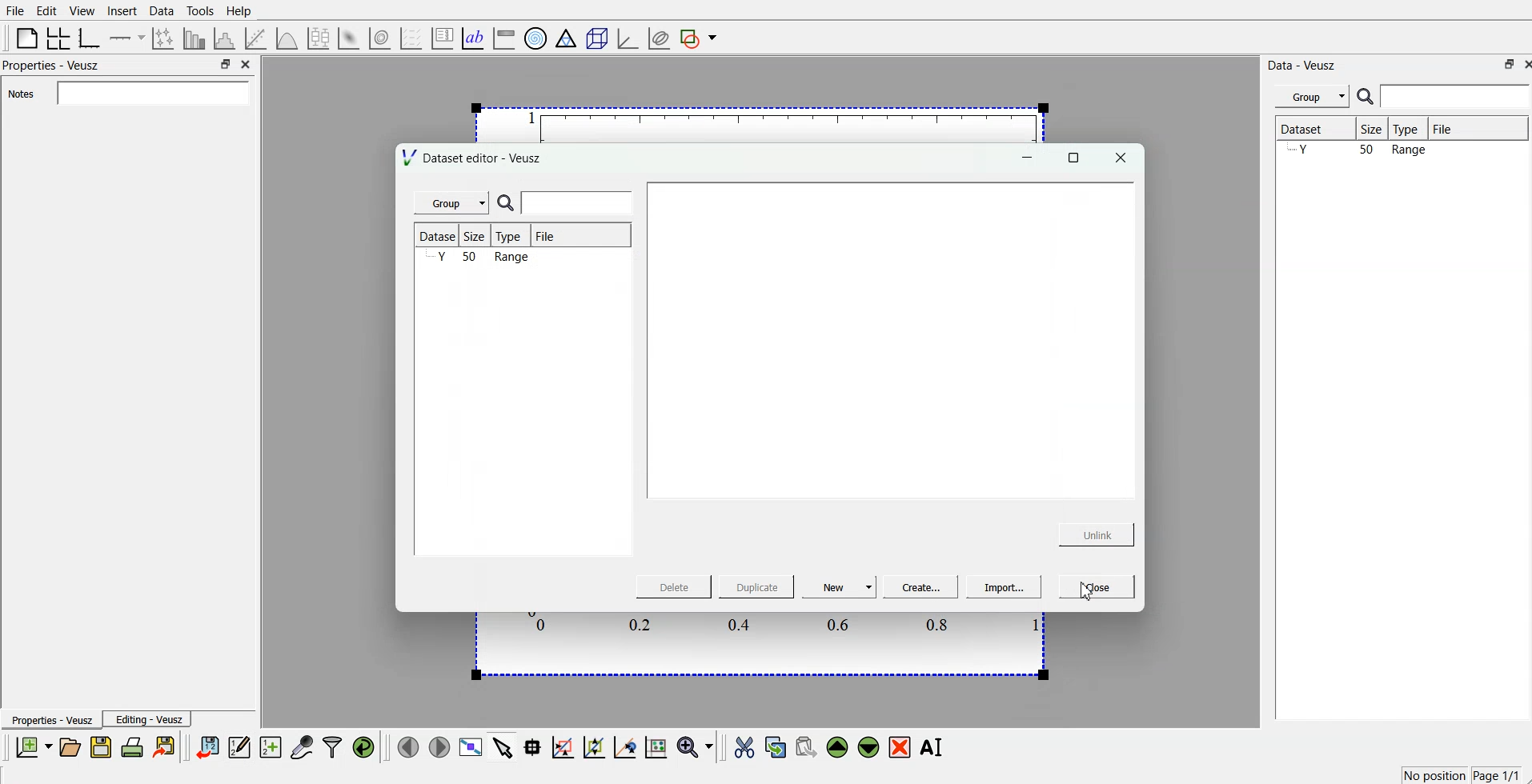 The image size is (1532, 784). Describe the element at coordinates (35, 746) in the screenshot. I see `new document` at that location.